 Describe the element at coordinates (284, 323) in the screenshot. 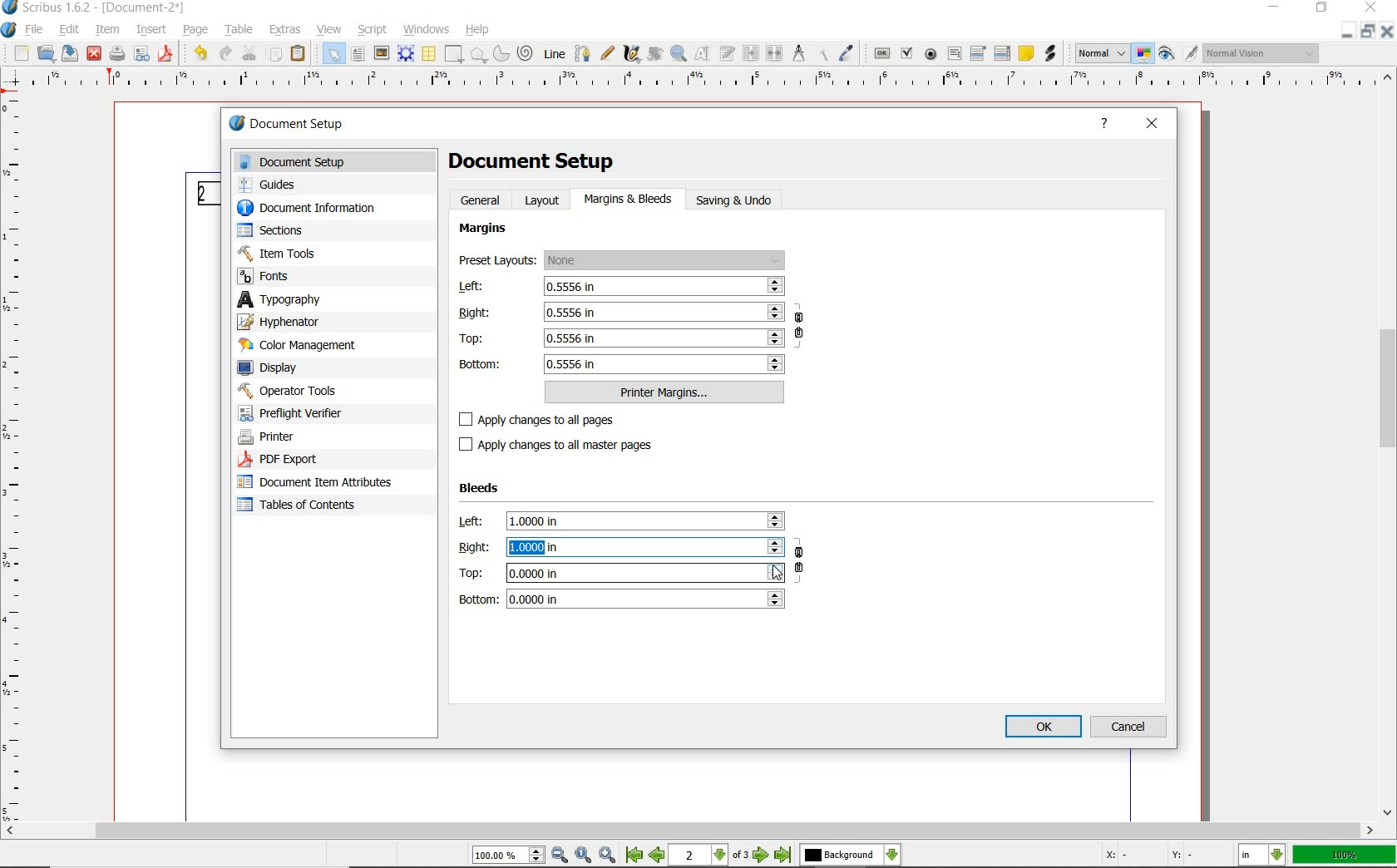

I see `hyphenator` at that location.